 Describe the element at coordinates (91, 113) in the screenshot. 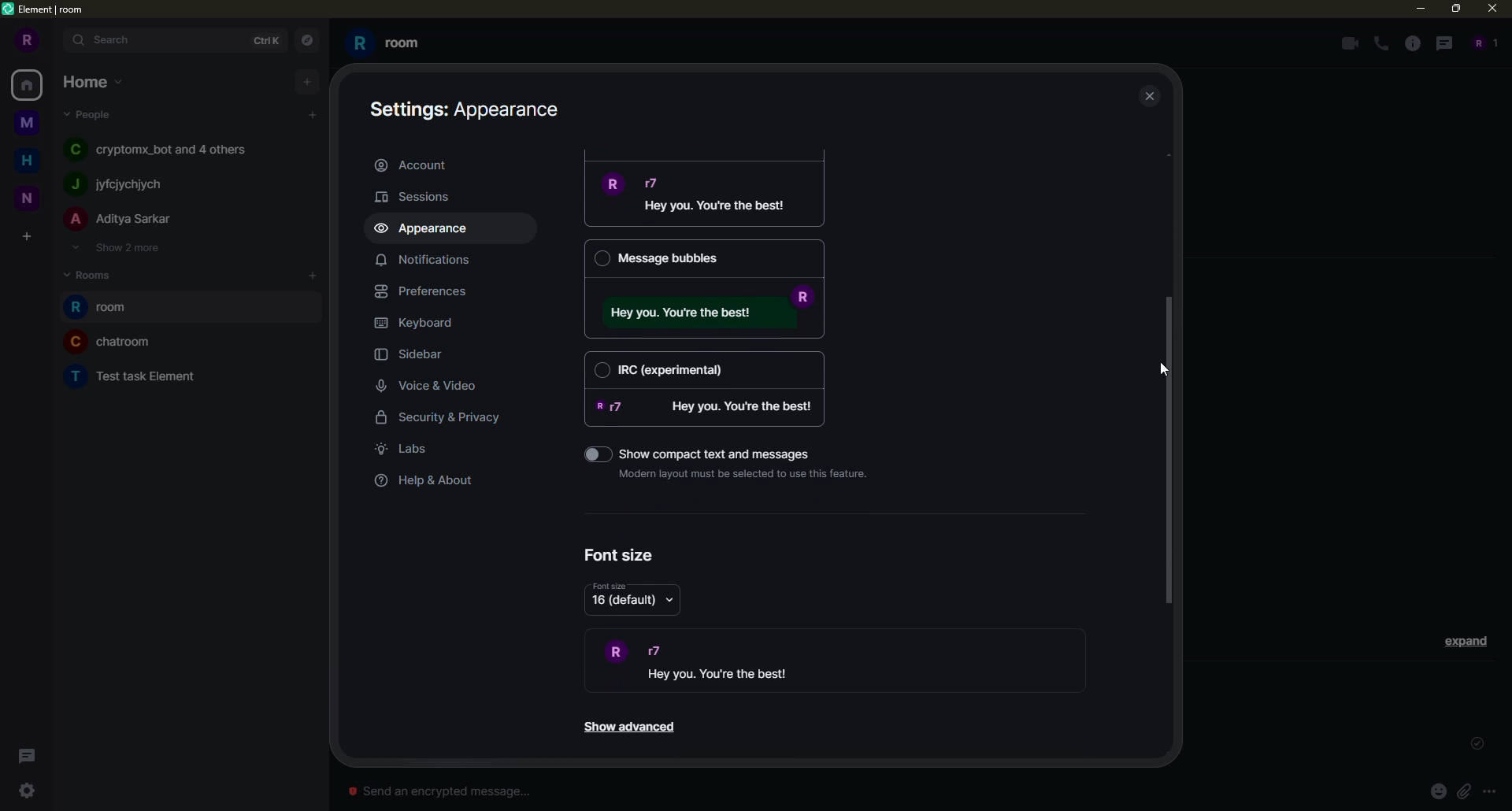

I see `people` at that location.